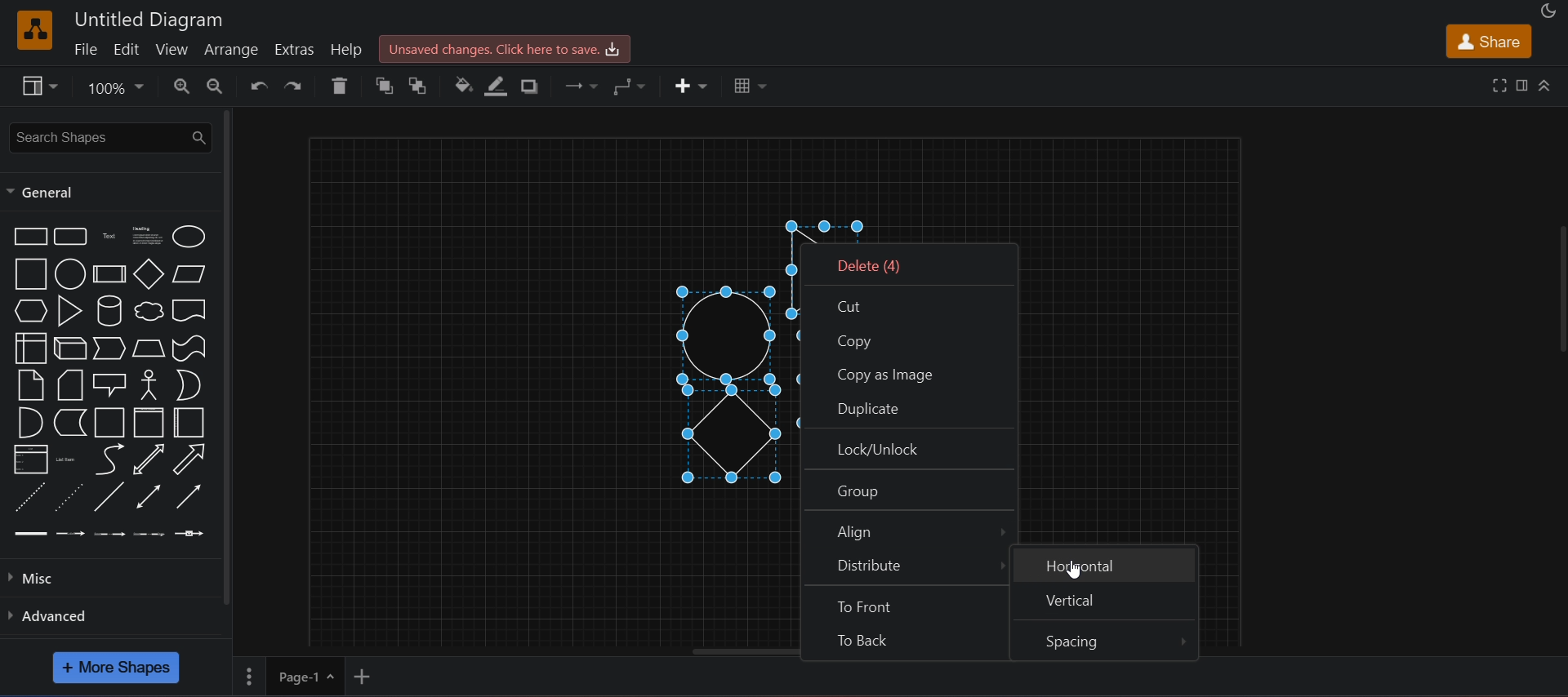 This screenshot has height=697, width=1568. Describe the element at coordinates (62, 615) in the screenshot. I see `advanced` at that location.